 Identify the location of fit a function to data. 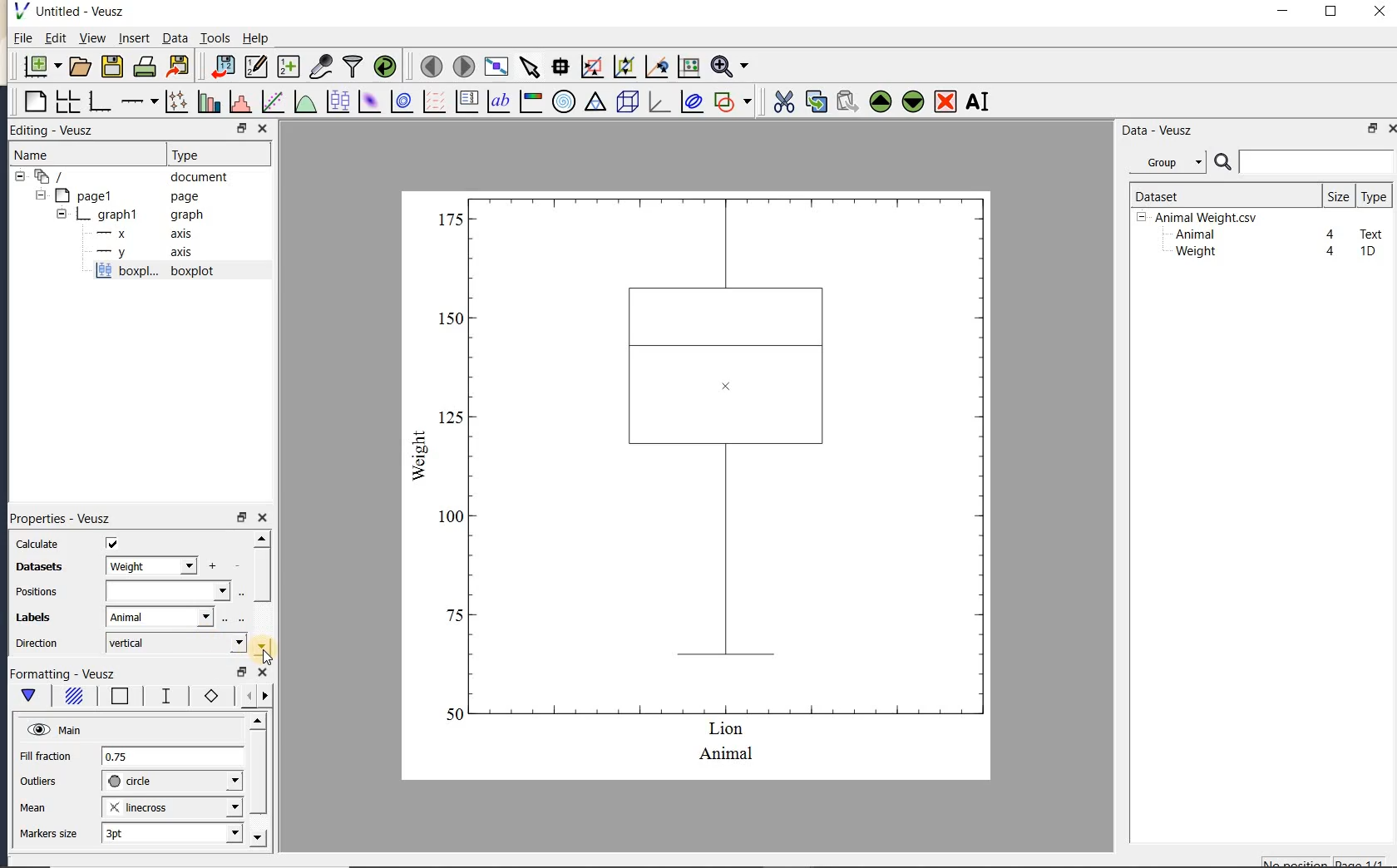
(272, 101).